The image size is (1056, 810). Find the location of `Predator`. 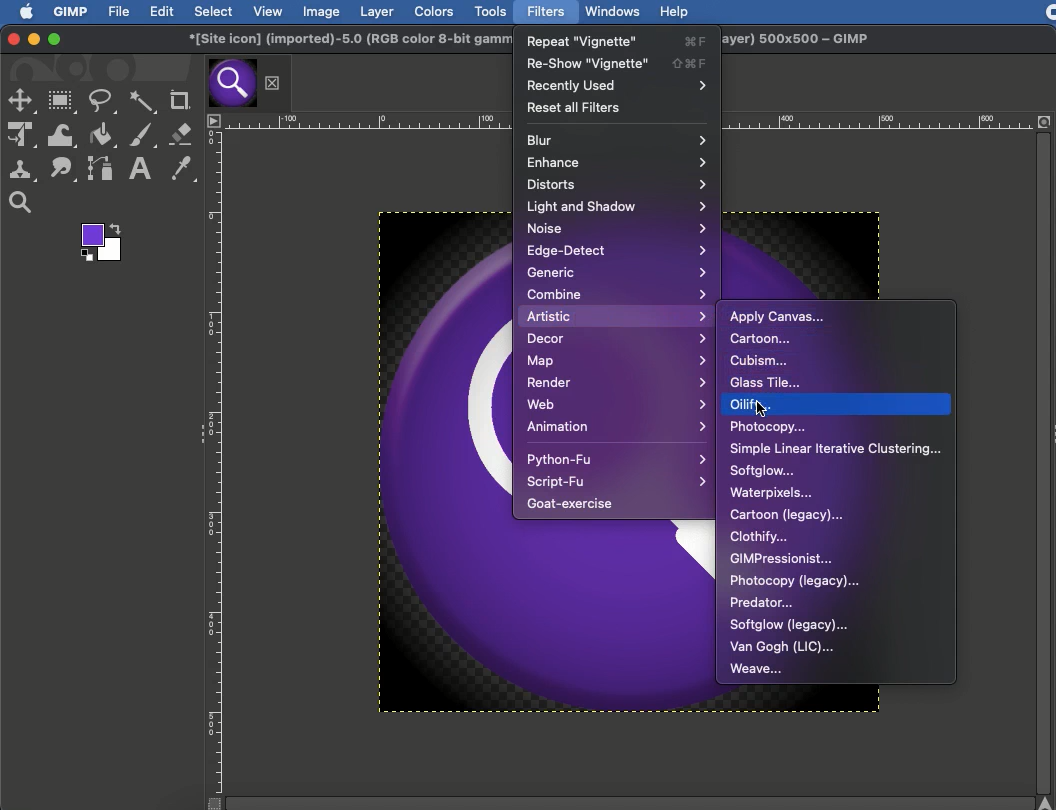

Predator is located at coordinates (761, 601).